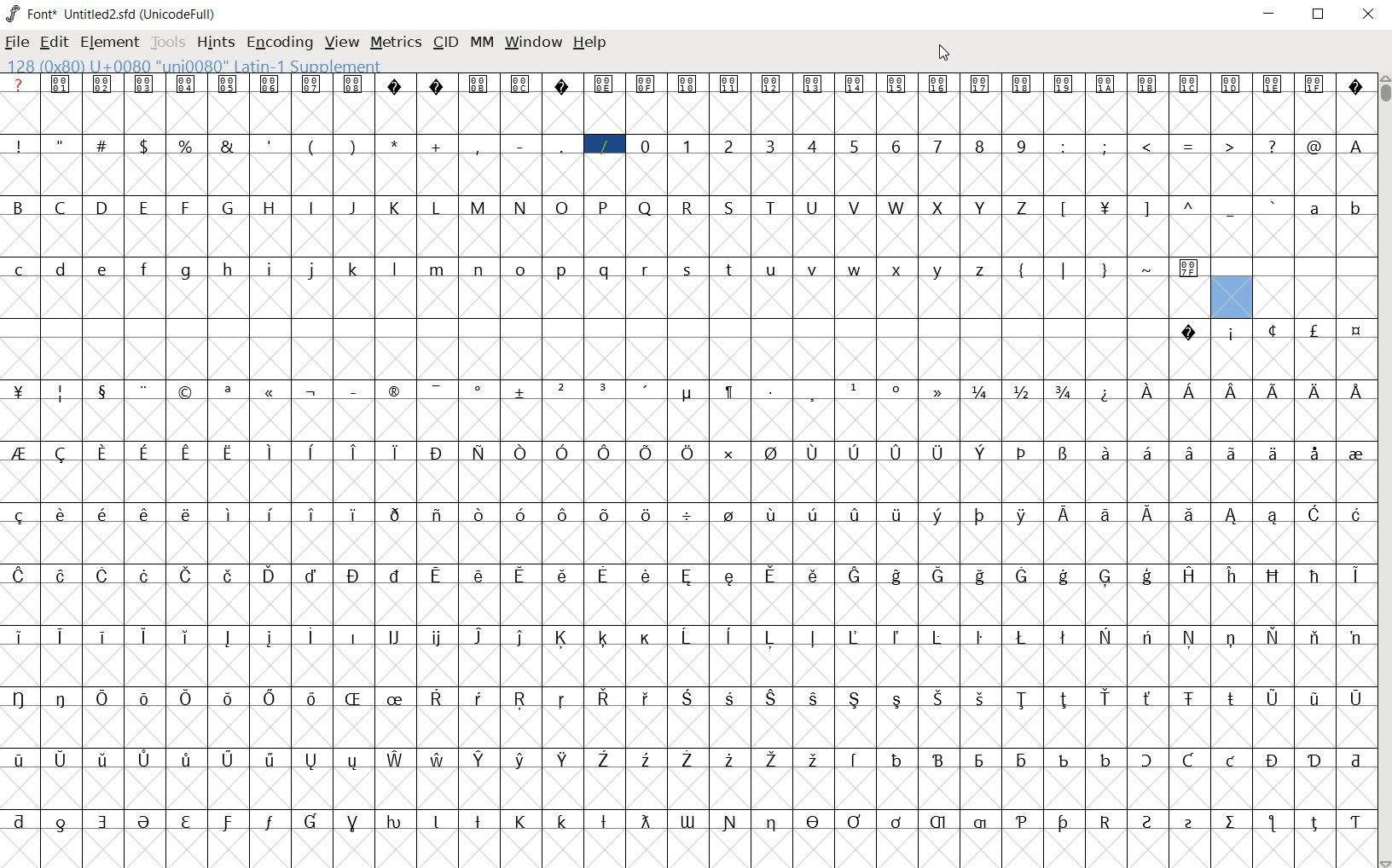  What do you see at coordinates (1145, 760) in the screenshot?
I see `glyph` at bounding box center [1145, 760].